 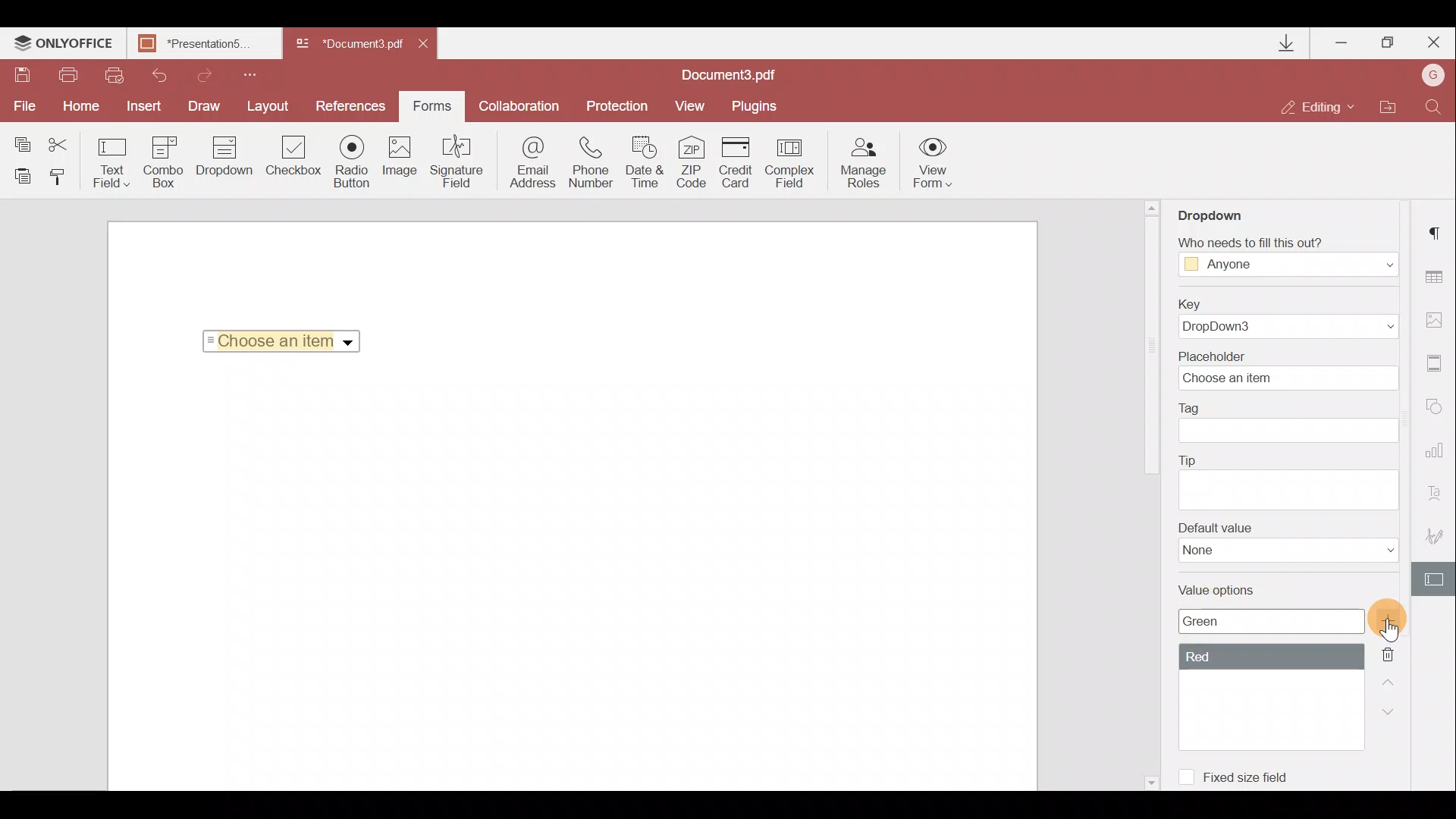 I want to click on Signature settings, so click(x=1433, y=531).